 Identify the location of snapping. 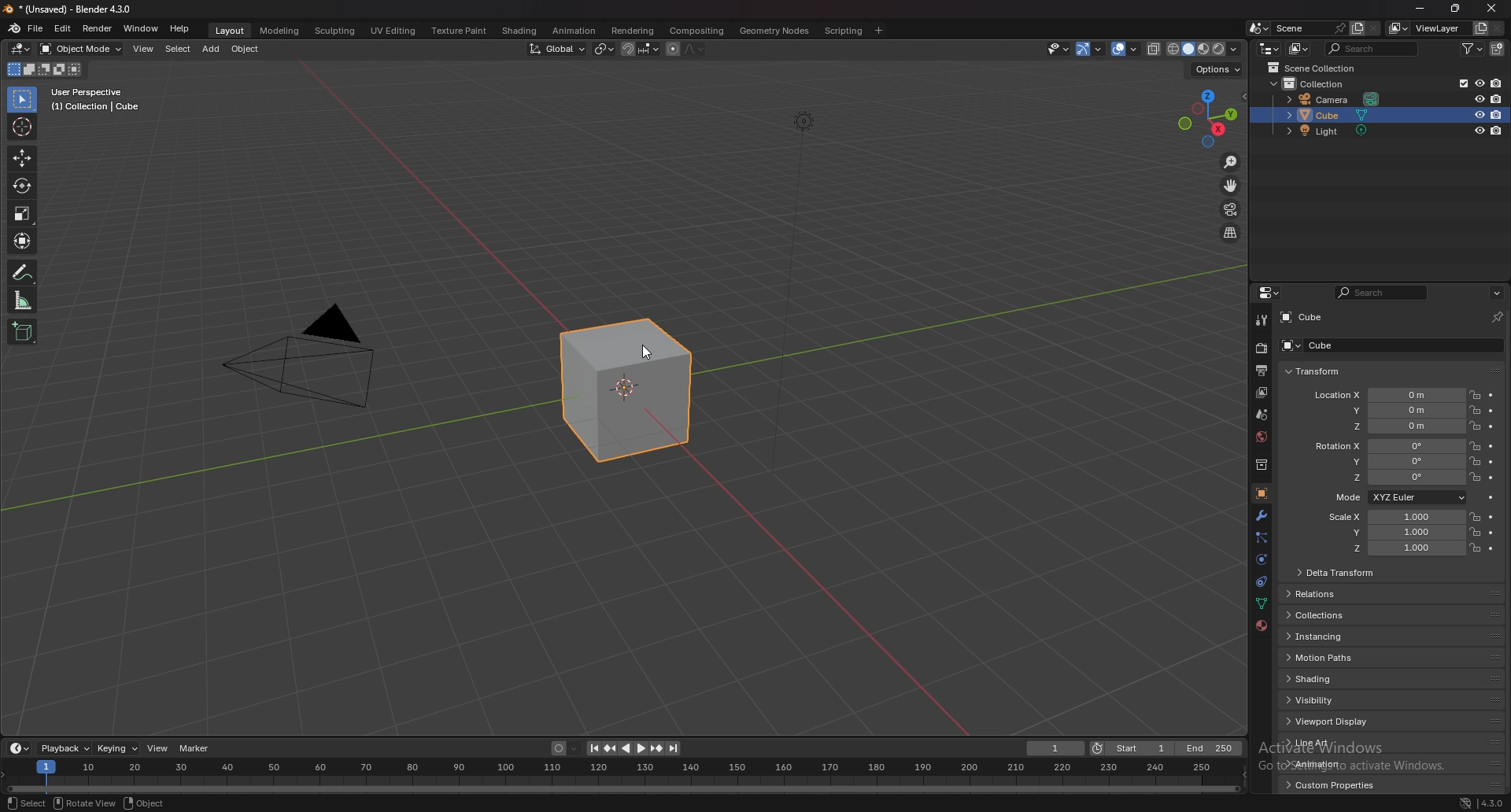
(640, 50).